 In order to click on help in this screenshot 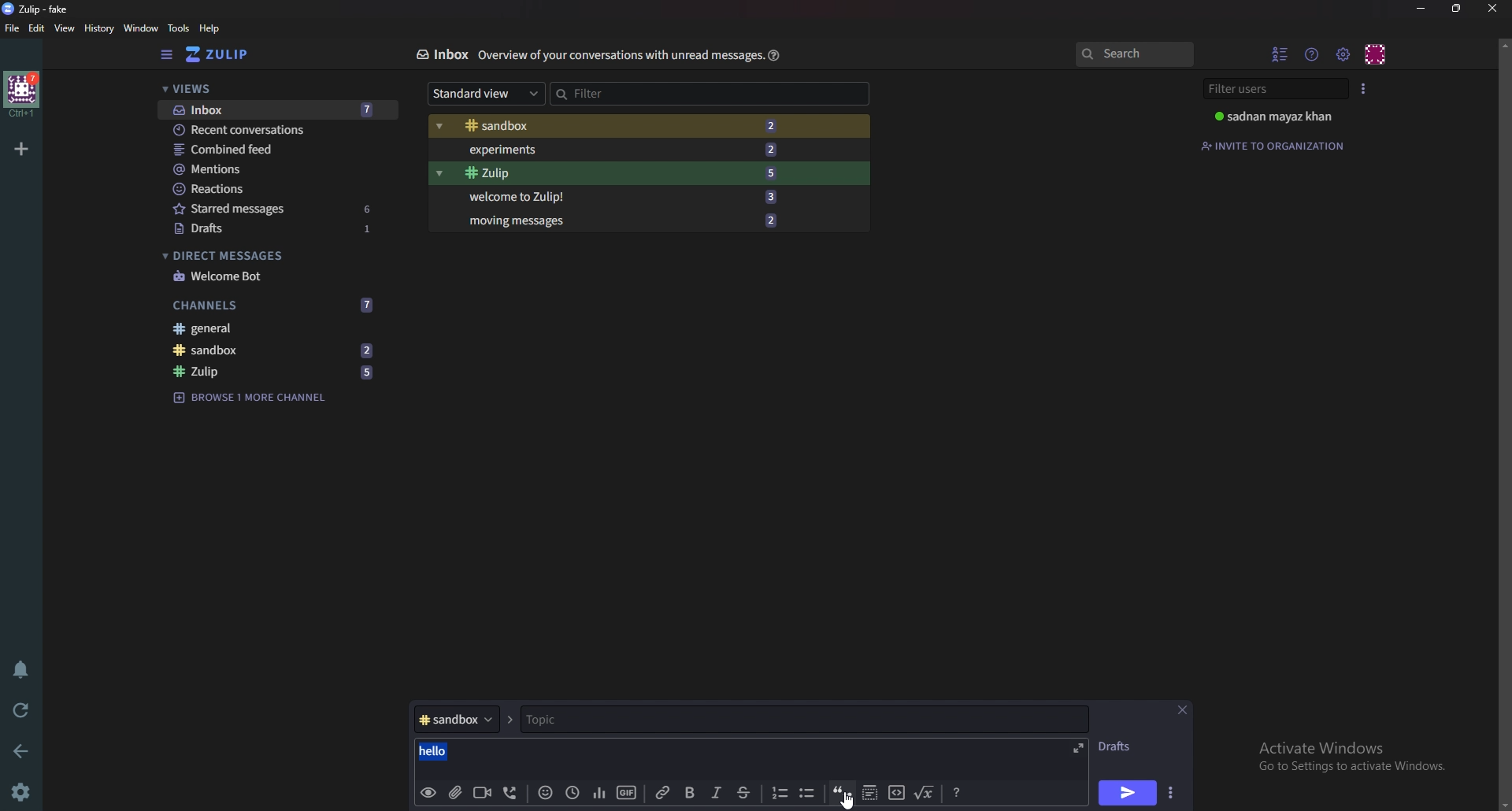, I will do `click(210, 28)`.